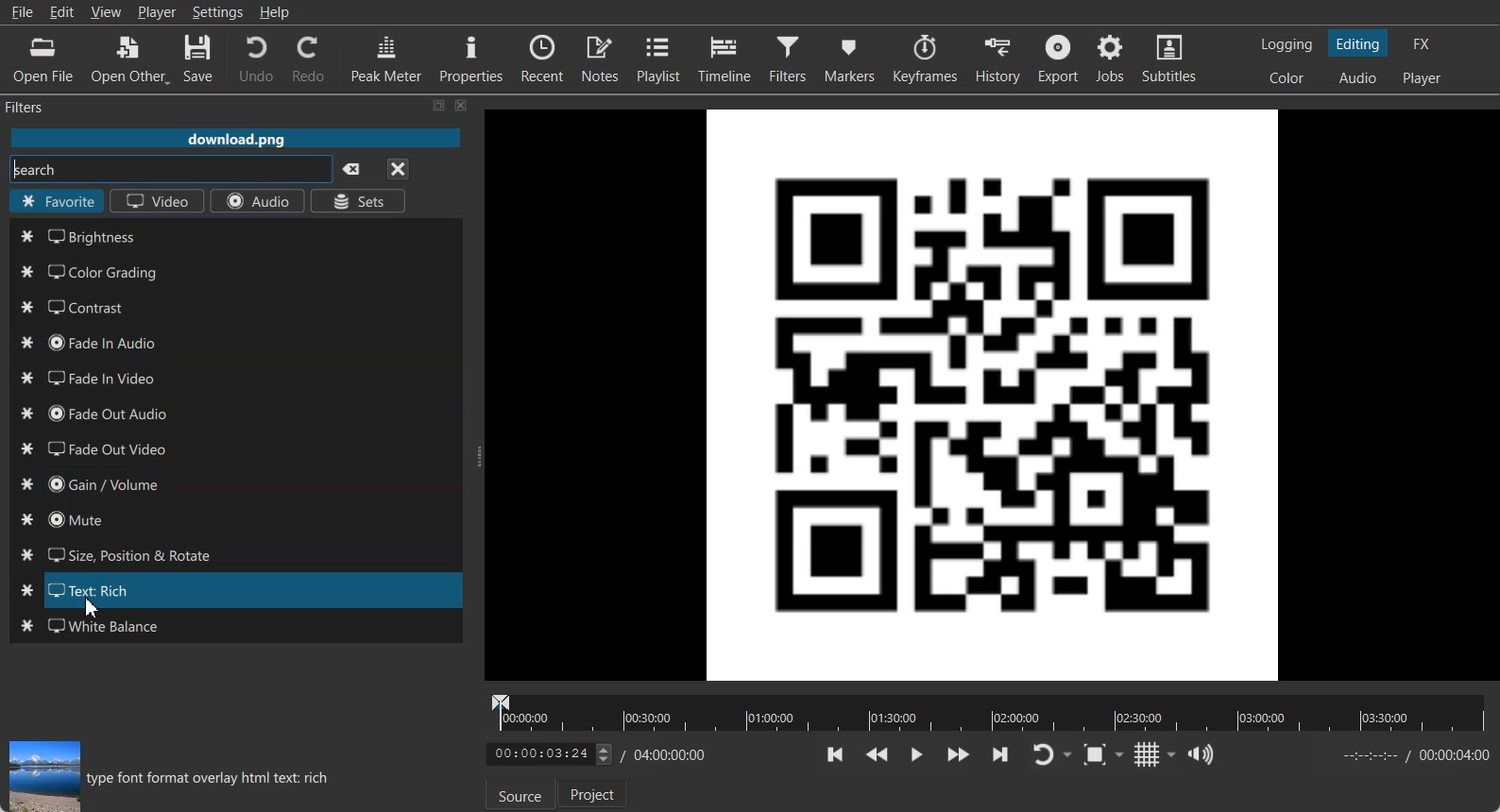 The height and width of the screenshot is (812, 1500). Describe the element at coordinates (62, 11) in the screenshot. I see `Edit` at that location.